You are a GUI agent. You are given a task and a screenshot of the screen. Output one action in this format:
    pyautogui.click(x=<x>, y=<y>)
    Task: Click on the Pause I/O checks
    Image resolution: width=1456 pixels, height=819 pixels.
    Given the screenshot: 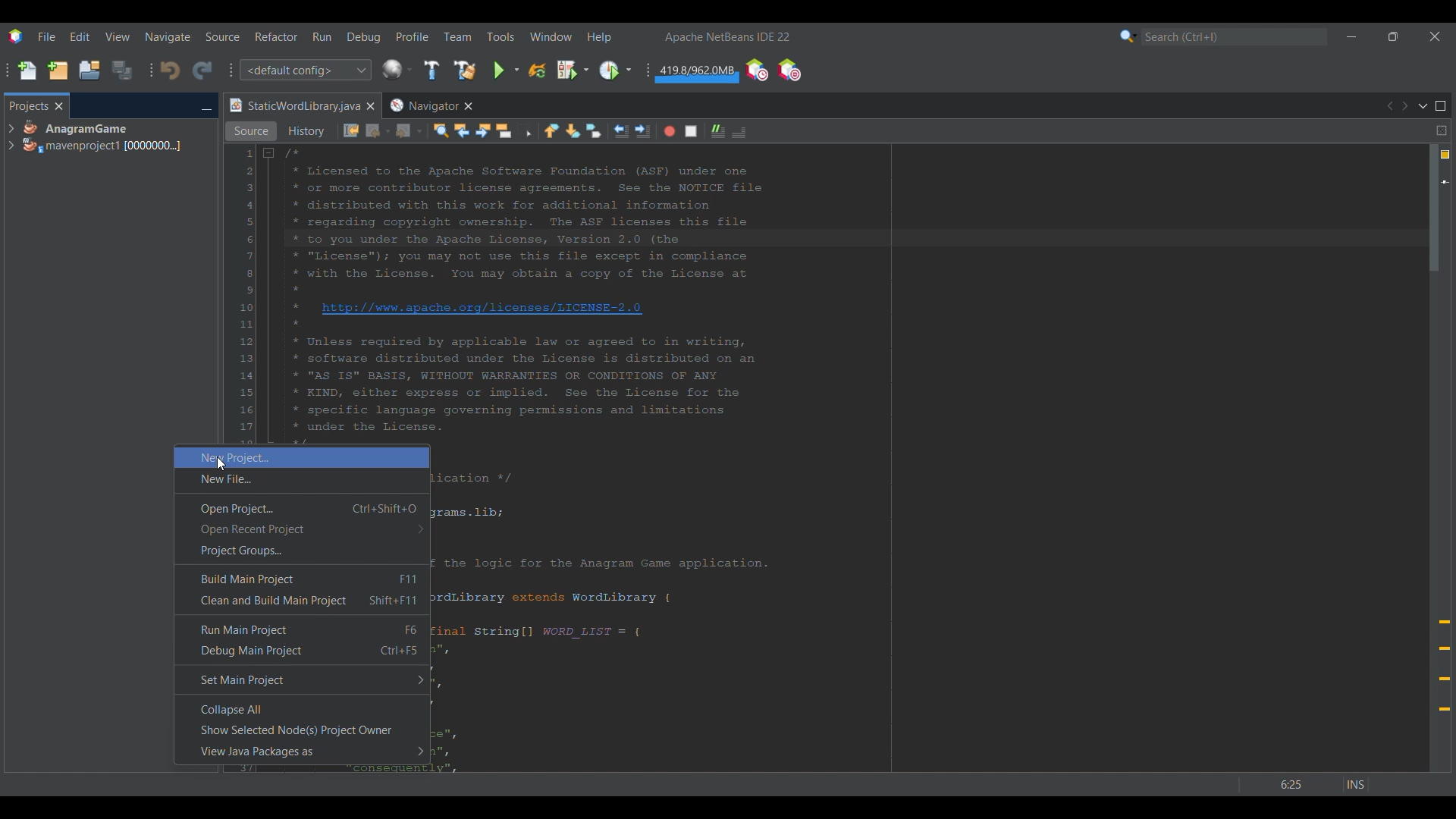 What is the action you would take?
    pyautogui.click(x=789, y=70)
    